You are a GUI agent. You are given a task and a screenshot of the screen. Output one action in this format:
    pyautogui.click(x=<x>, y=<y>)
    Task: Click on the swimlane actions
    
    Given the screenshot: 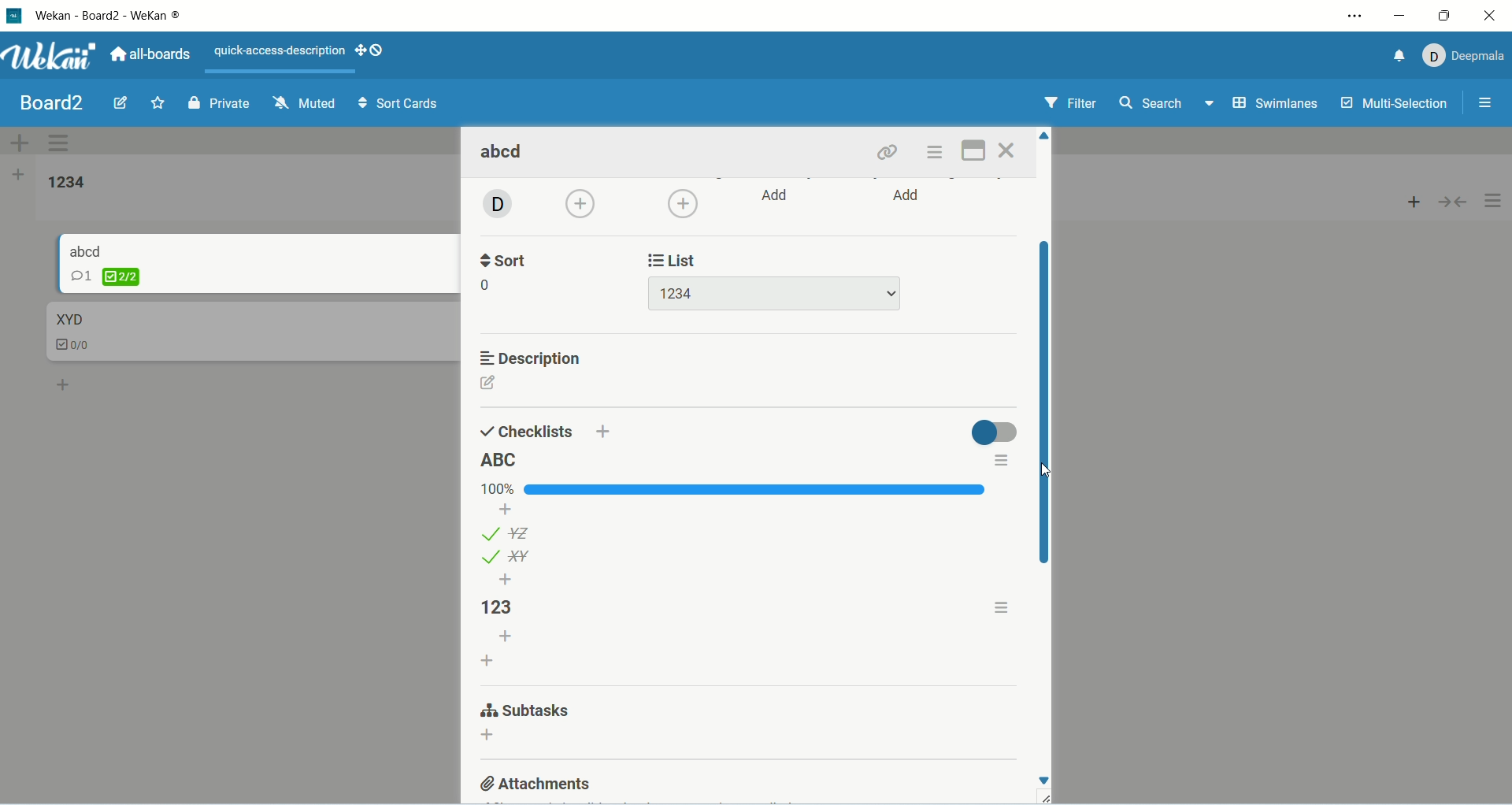 What is the action you would take?
    pyautogui.click(x=61, y=145)
    